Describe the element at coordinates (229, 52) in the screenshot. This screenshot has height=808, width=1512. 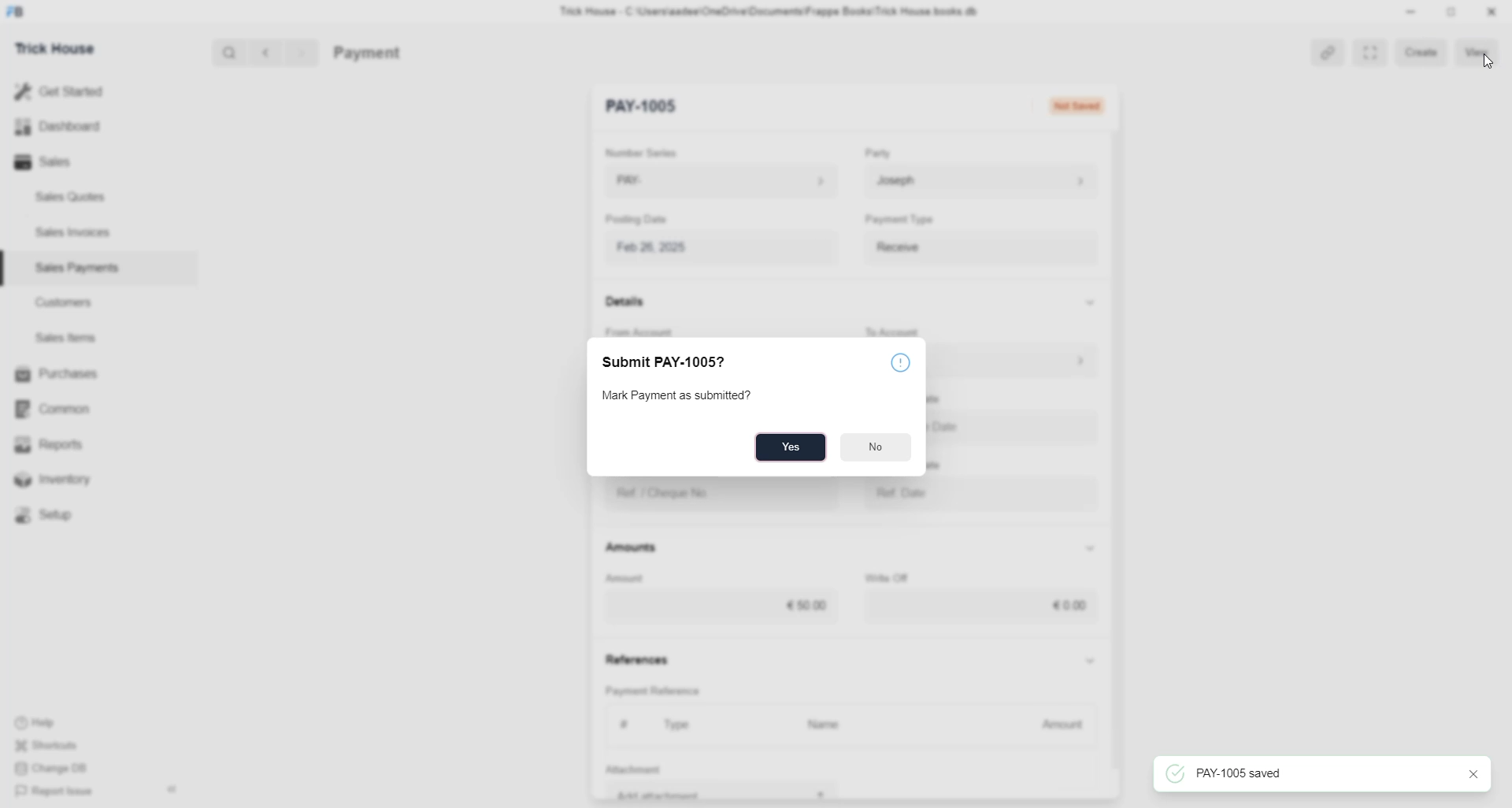
I see `Search` at that location.